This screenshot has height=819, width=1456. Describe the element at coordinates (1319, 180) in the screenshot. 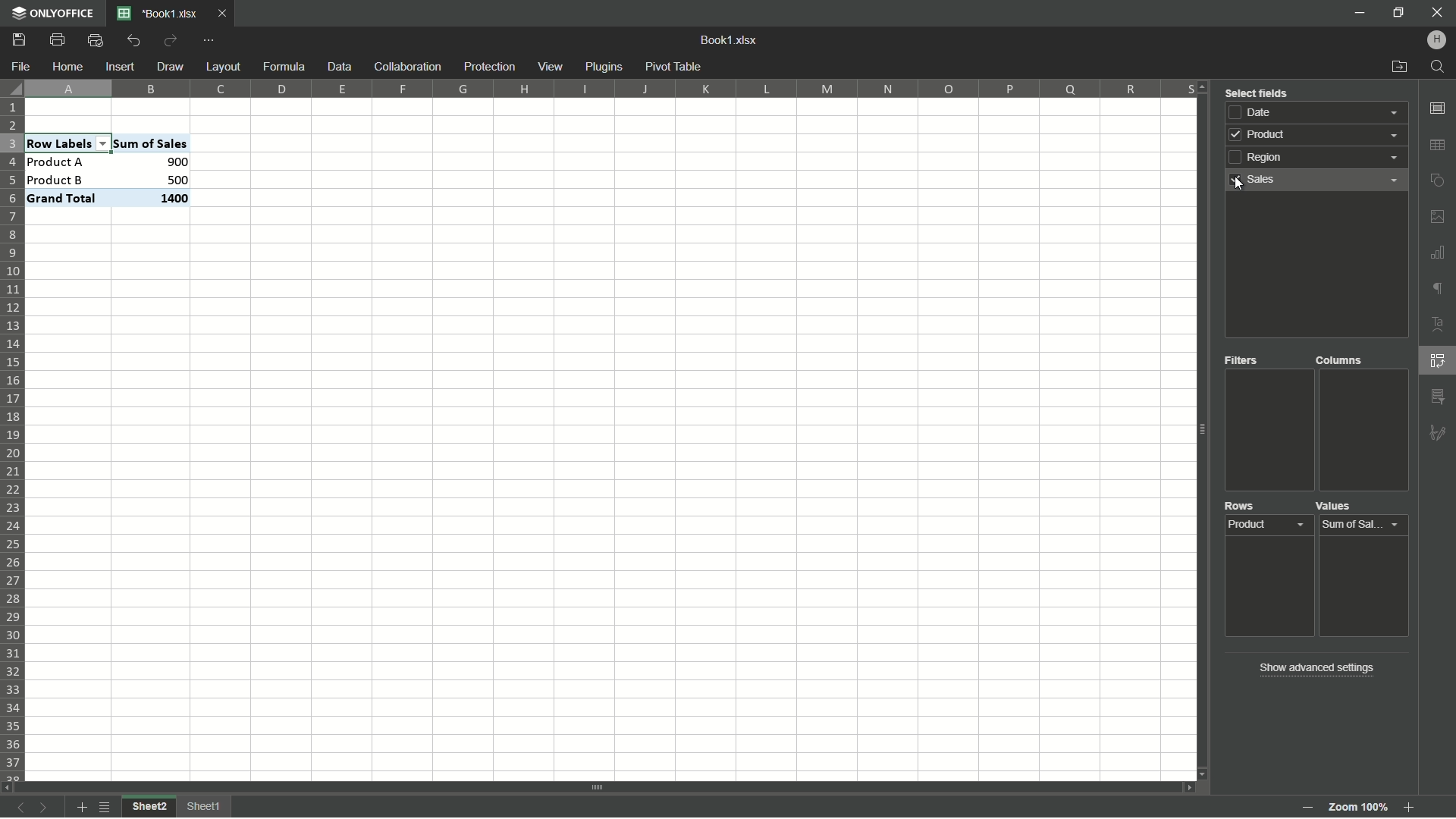

I see `Sales` at that location.